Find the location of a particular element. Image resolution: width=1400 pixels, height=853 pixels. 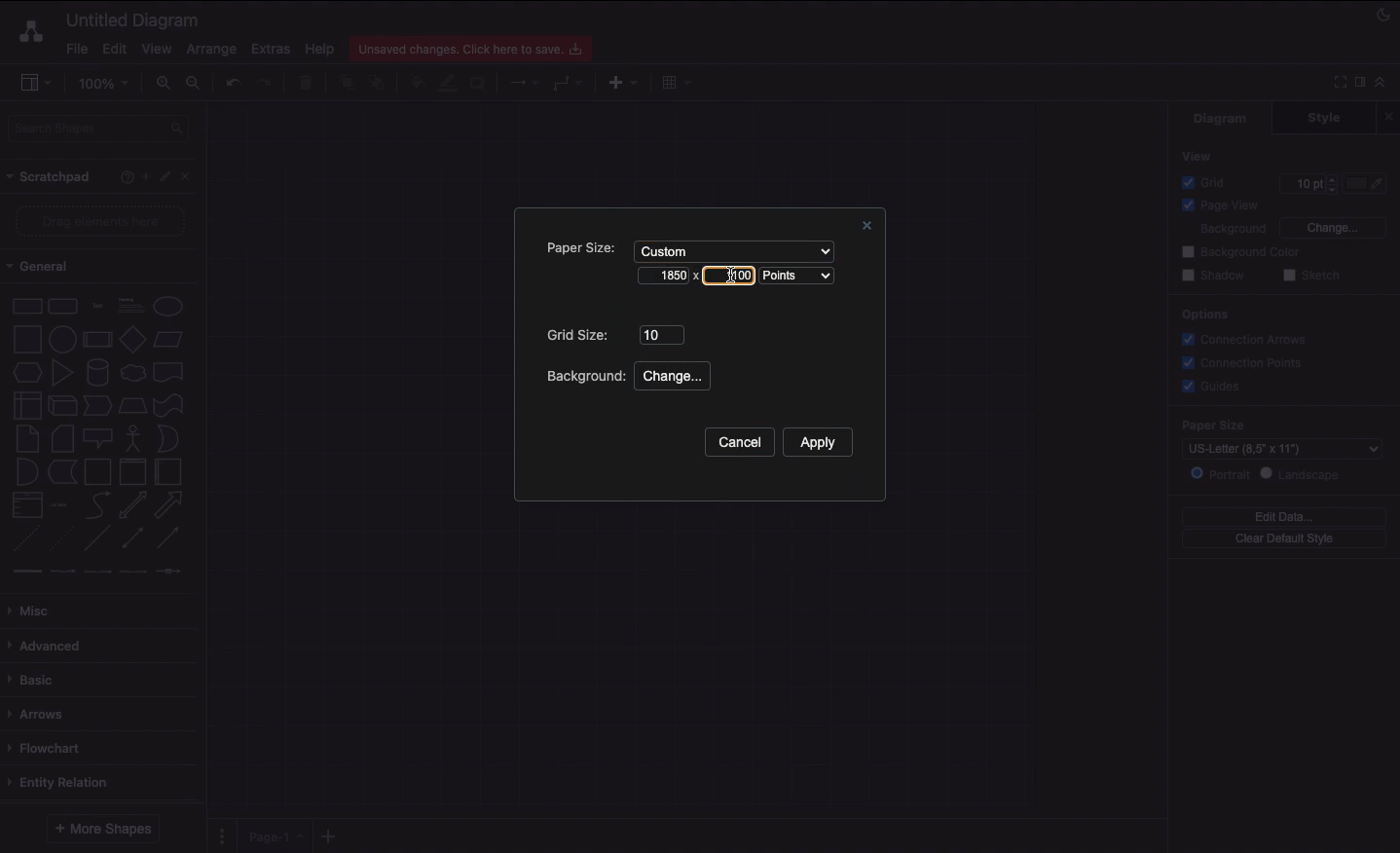

Full screen is located at coordinates (1338, 81).